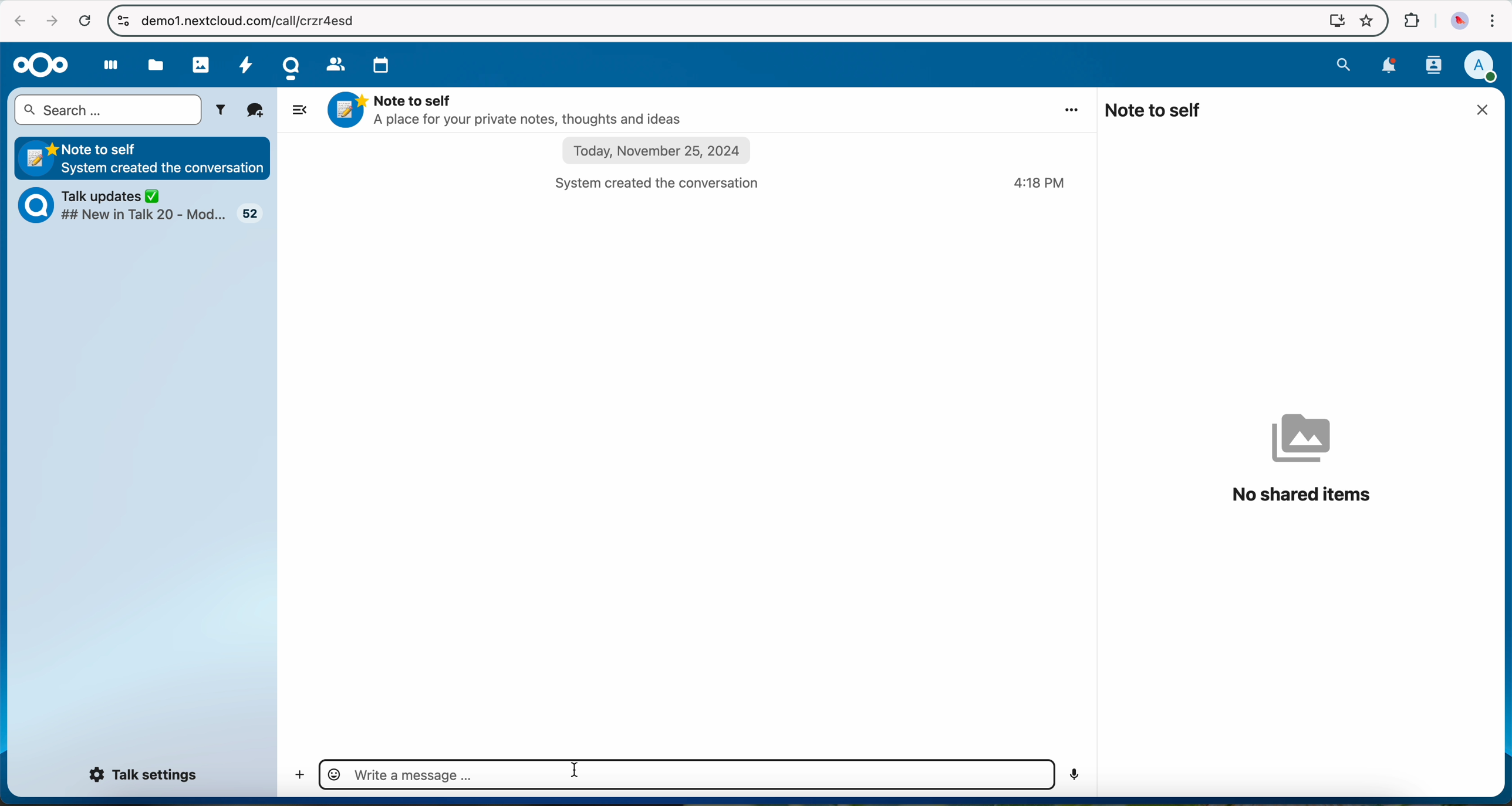  I want to click on notifications, so click(1392, 67).